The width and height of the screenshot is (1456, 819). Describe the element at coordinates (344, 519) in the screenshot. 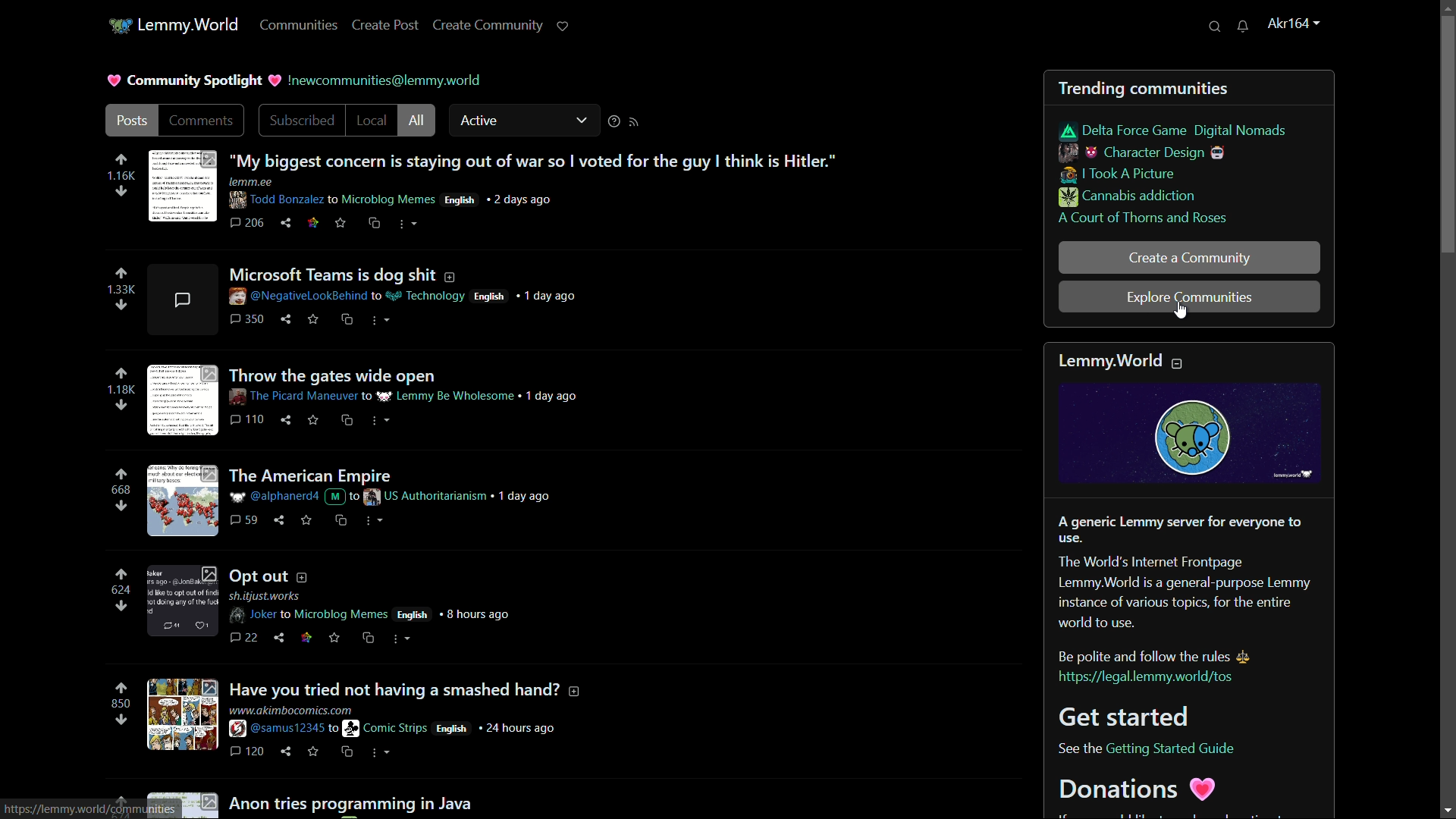

I see `cross share` at that location.